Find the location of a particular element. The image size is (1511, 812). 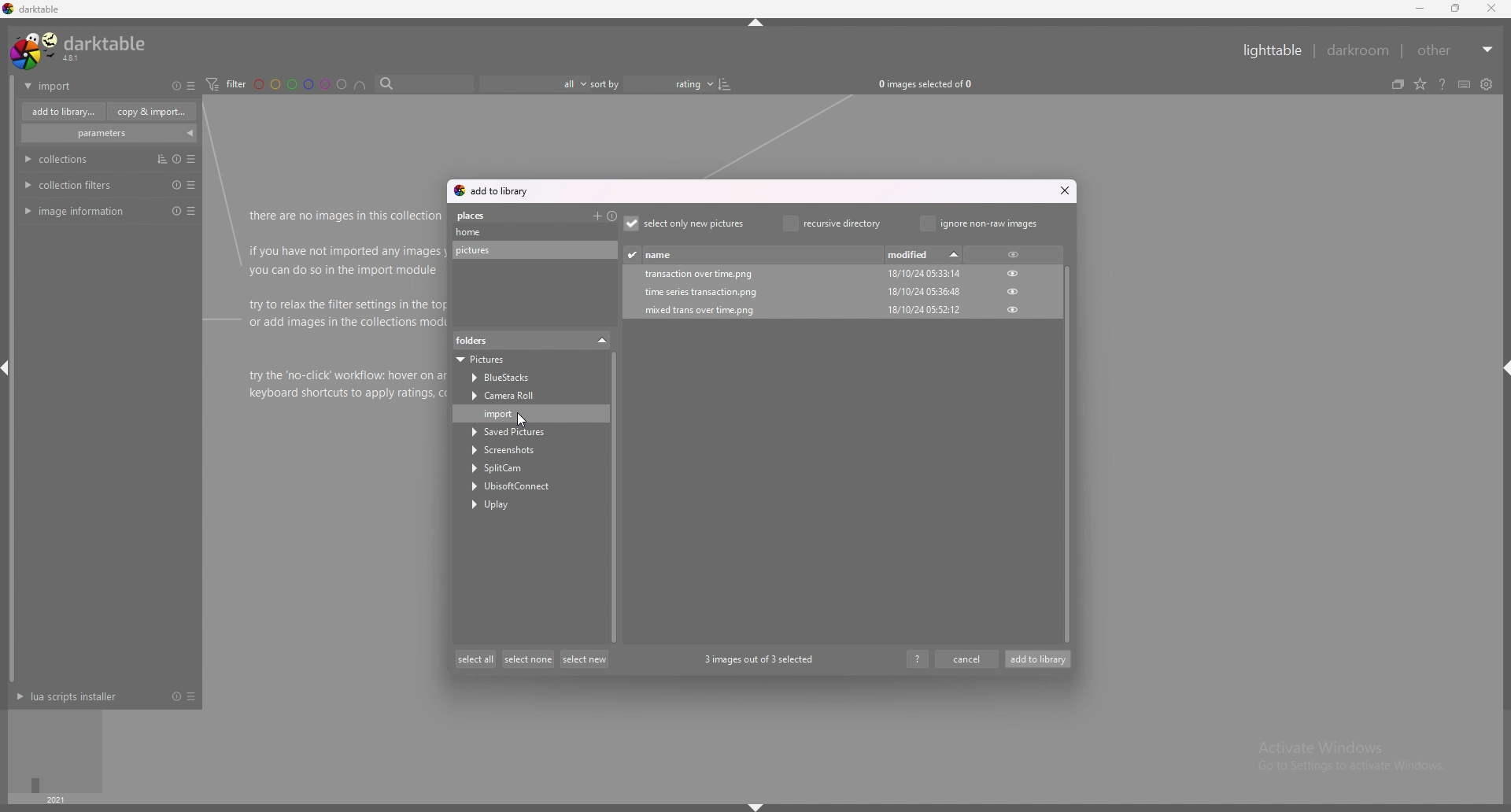

mark already imported picture is located at coordinates (633, 255).